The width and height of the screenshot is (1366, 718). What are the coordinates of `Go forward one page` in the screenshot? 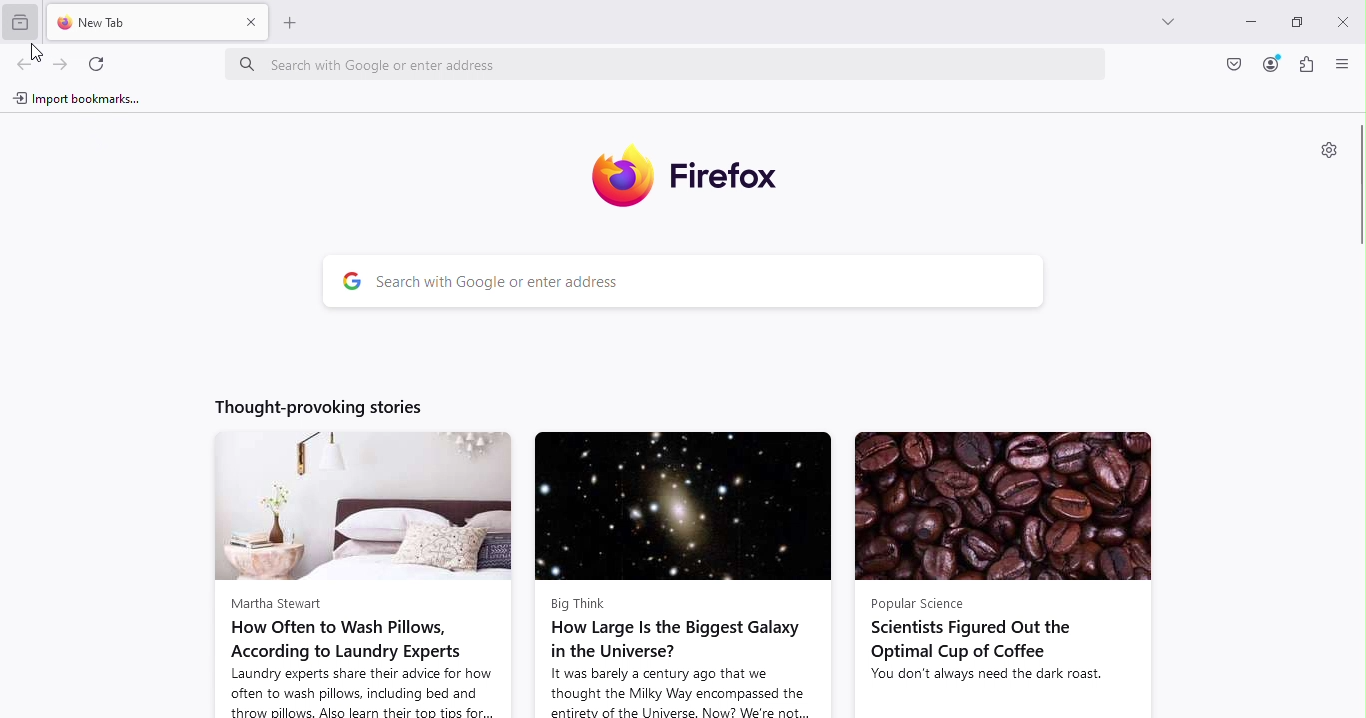 It's located at (61, 64).